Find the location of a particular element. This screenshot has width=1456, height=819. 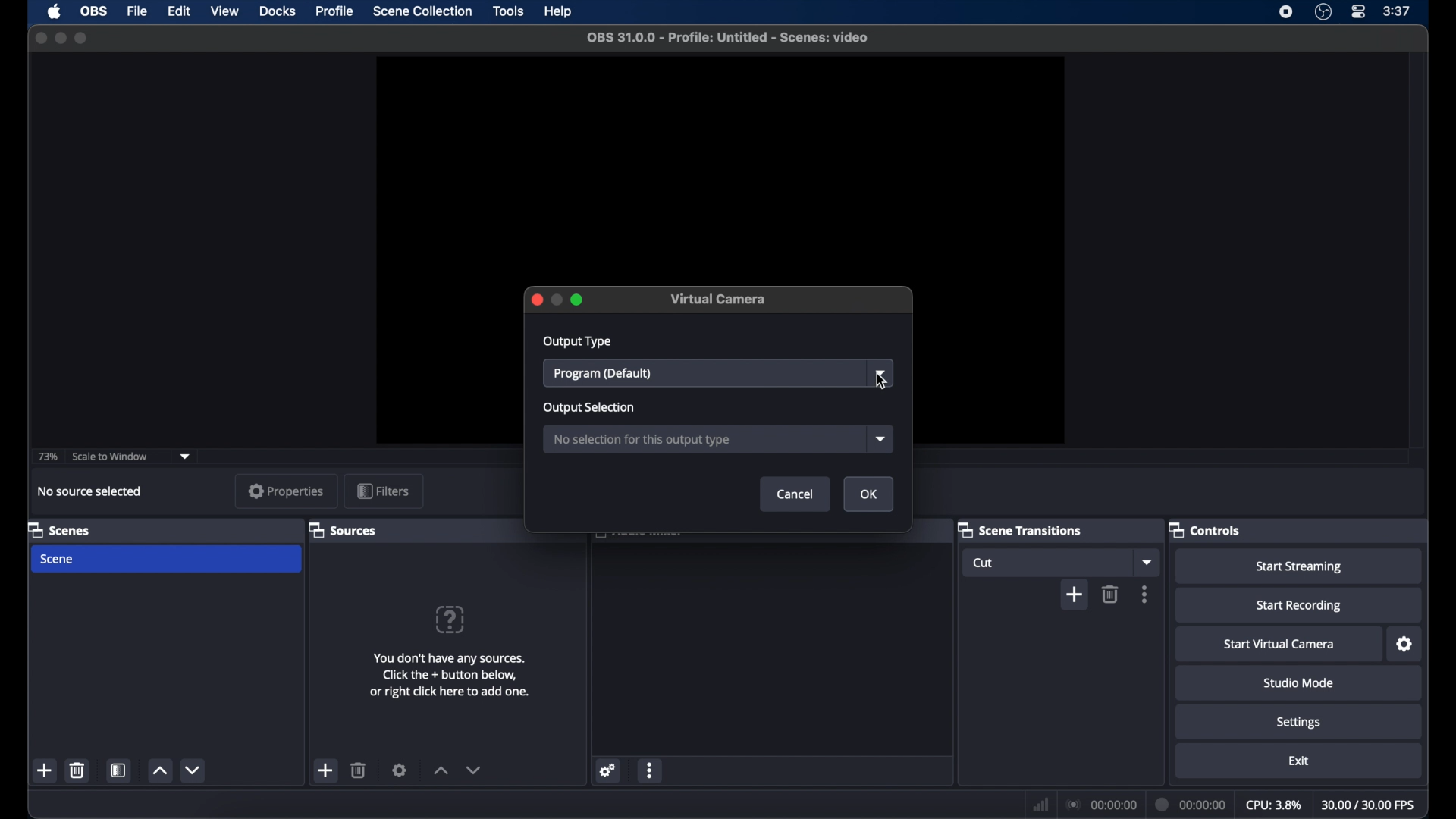

output selection is located at coordinates (588, 407).